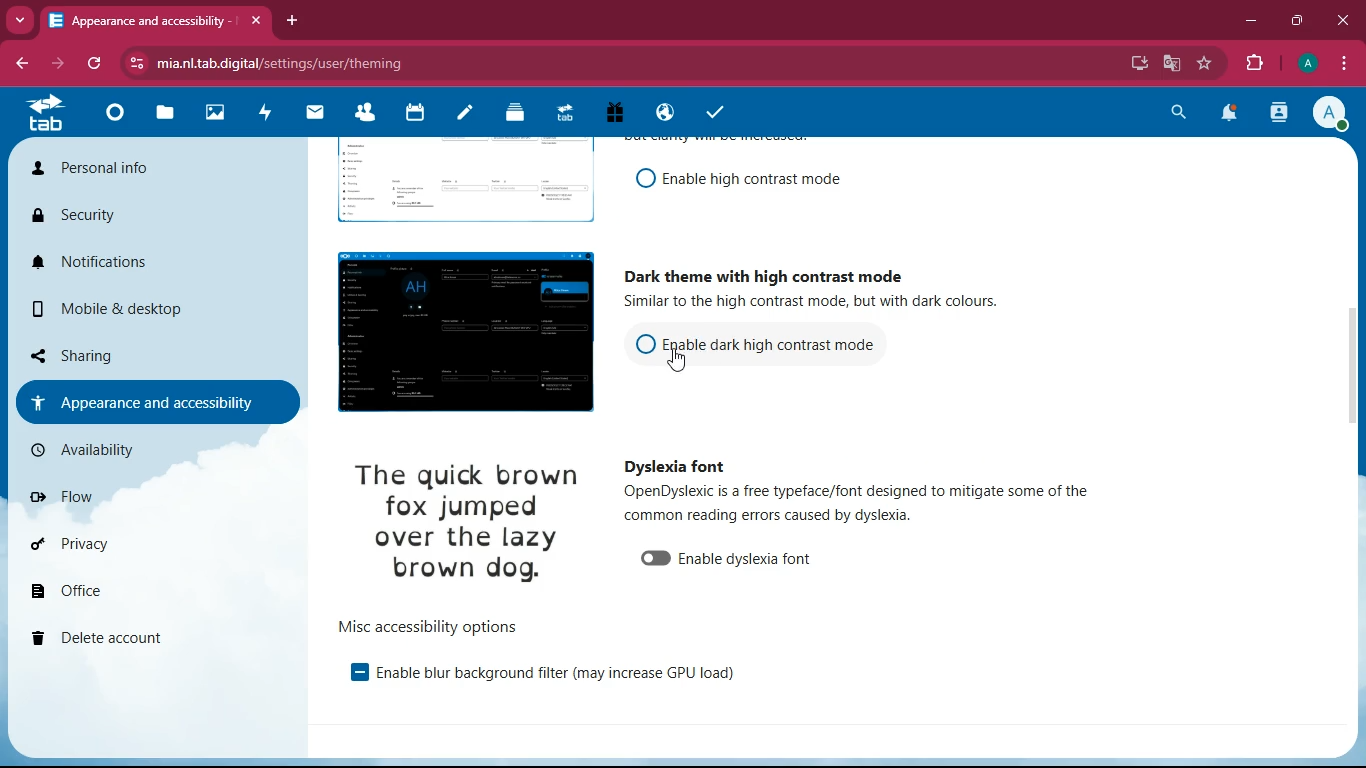  Describe the element at coordinates (140, 267) in the screenshot. I see `notifications` at that location.